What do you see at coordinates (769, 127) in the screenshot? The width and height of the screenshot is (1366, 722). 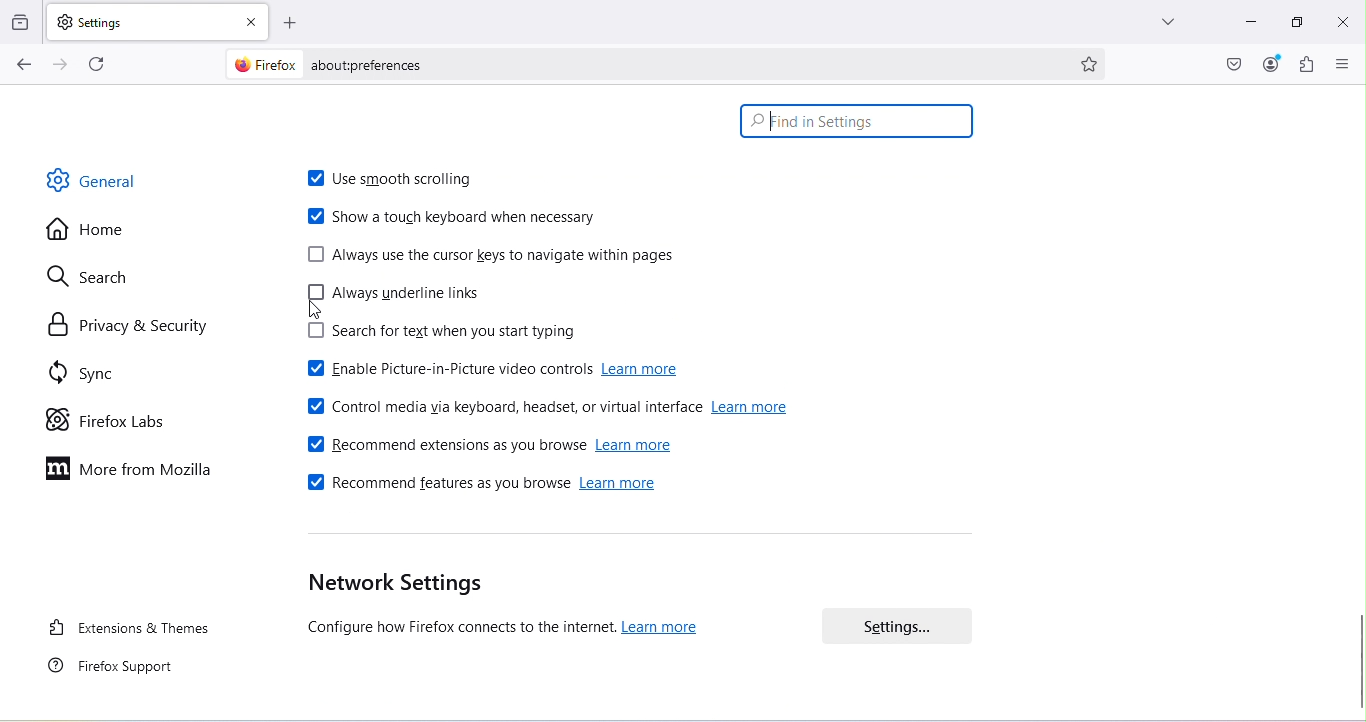 I see `cursor` at bounding box center [769, 127].